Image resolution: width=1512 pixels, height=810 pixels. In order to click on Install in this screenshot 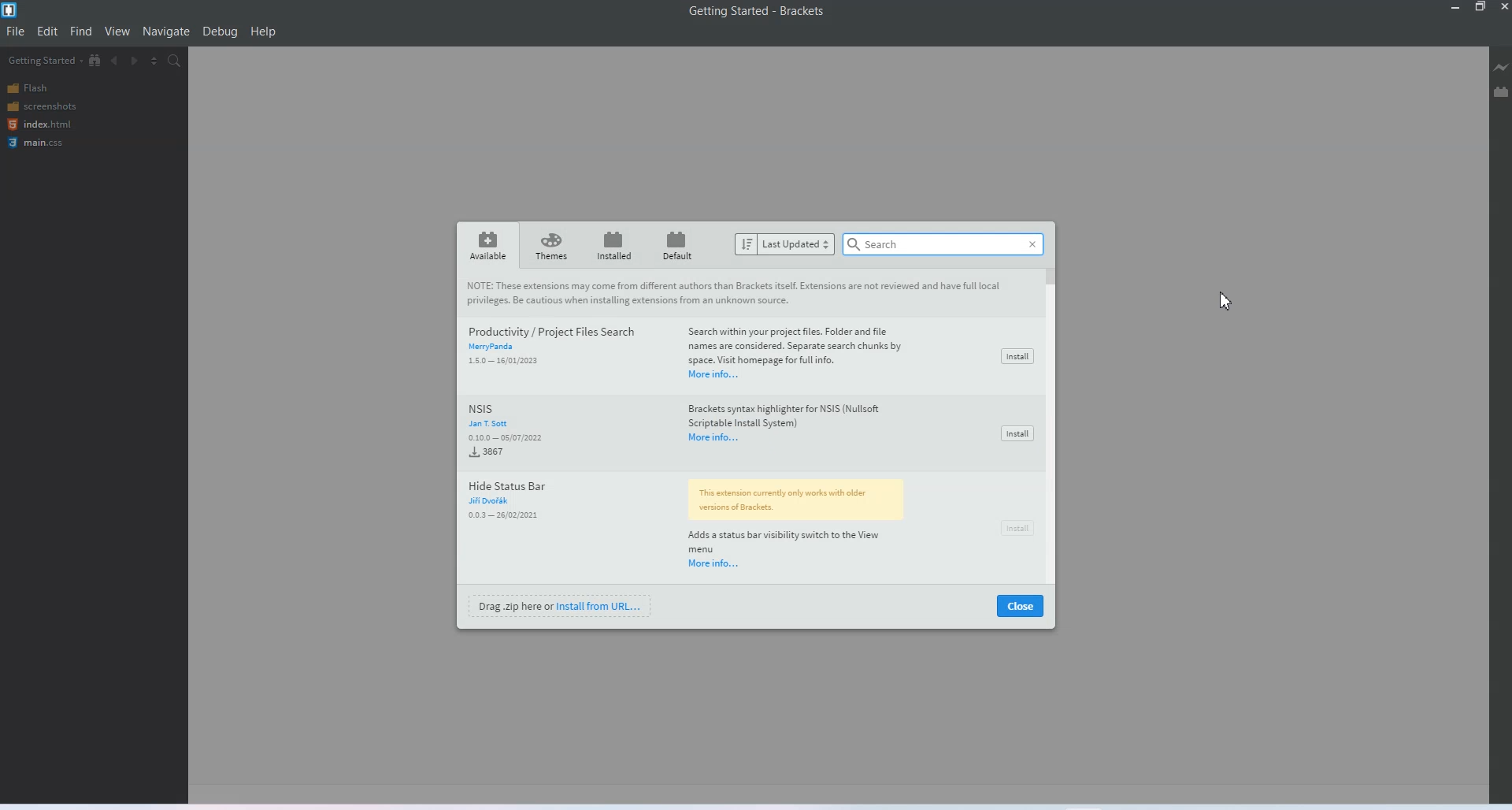, I will do `click(1017, 433)`.